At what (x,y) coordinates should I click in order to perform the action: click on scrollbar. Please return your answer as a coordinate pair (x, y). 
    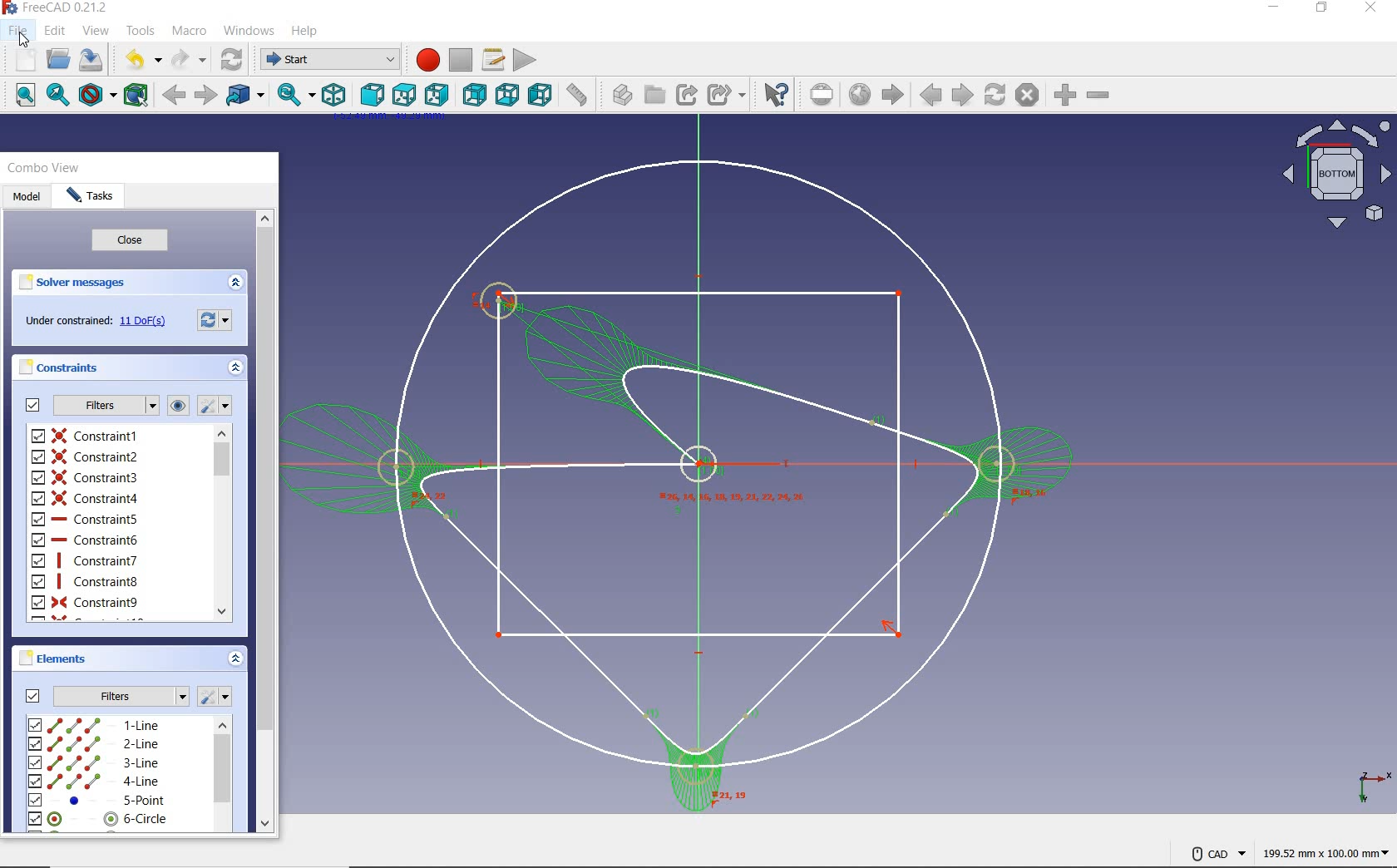
    Looking at the image, I should click on (265, 519).